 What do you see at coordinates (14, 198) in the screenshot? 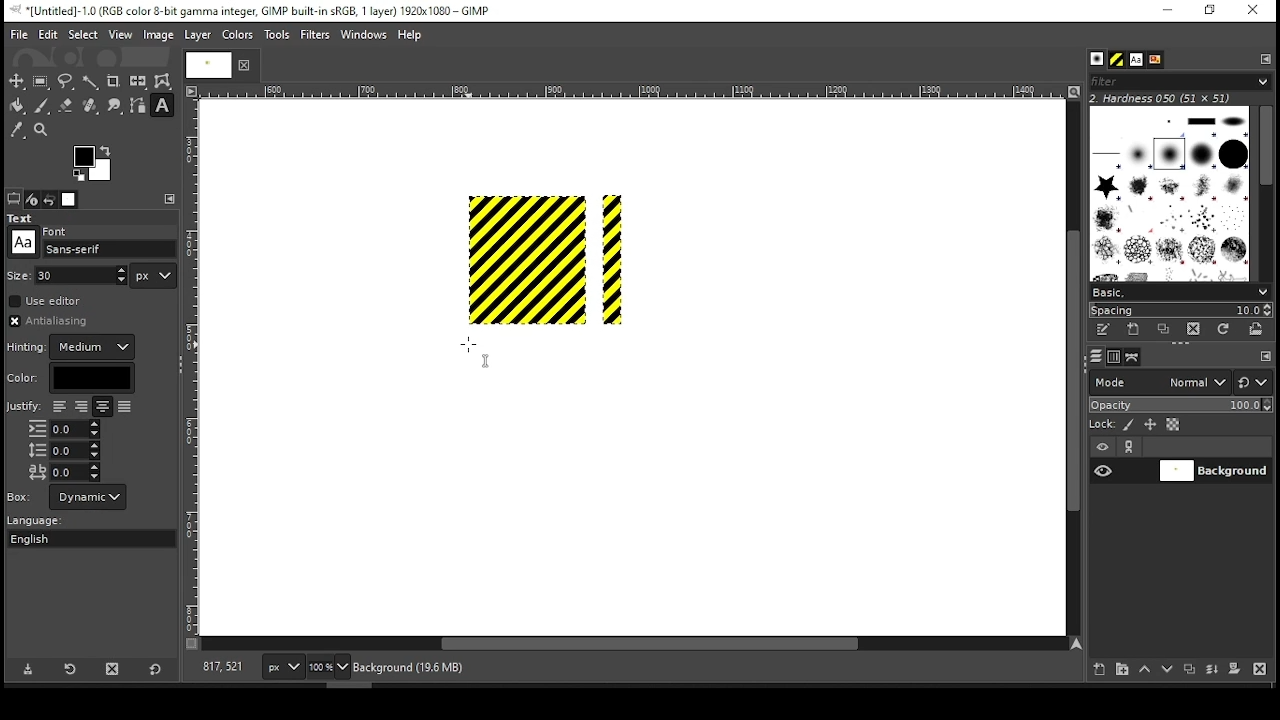
I see `tool options` at bounding box center [14, 198].